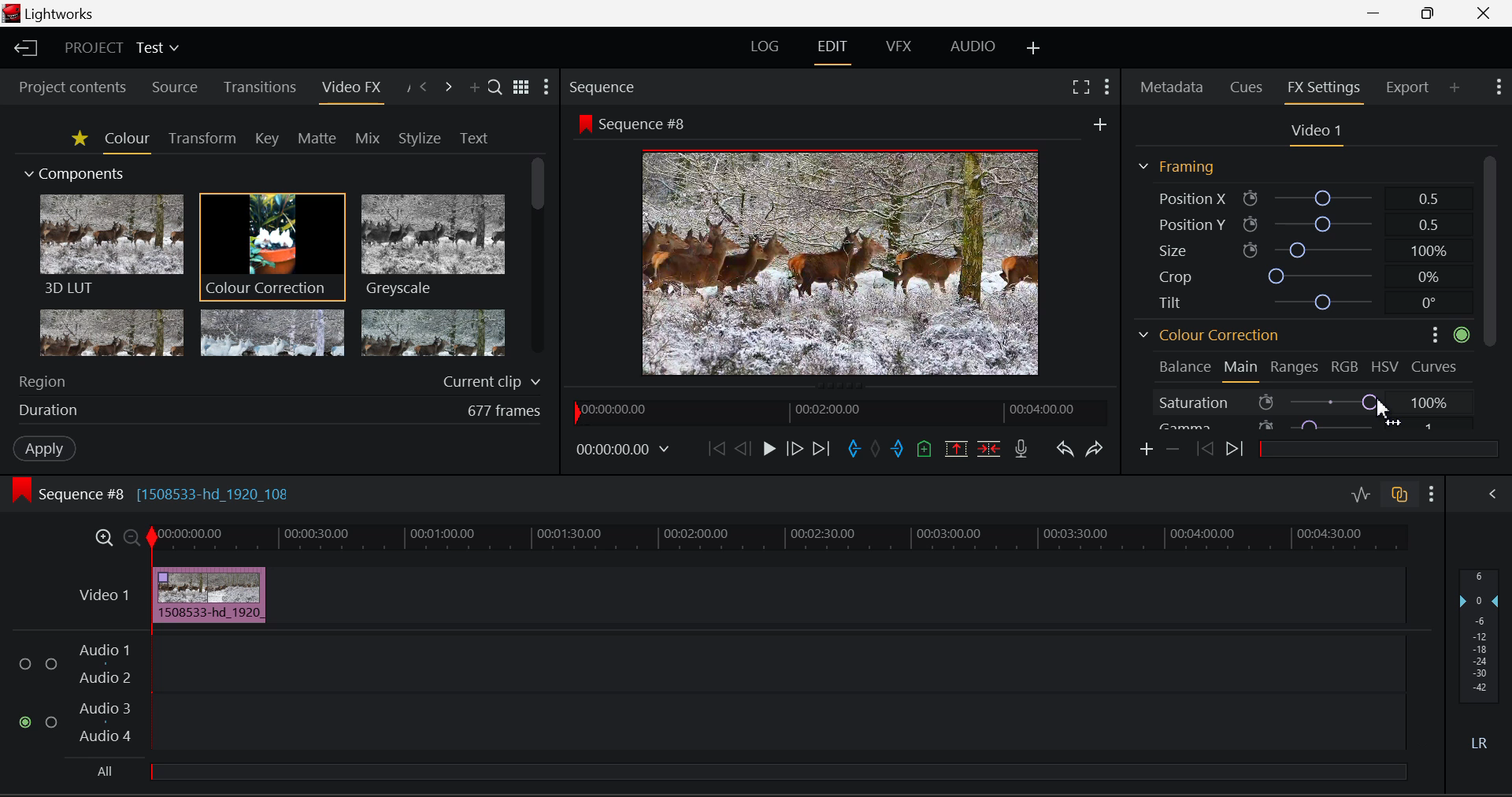  I want to click on Region, so click(280, 381).